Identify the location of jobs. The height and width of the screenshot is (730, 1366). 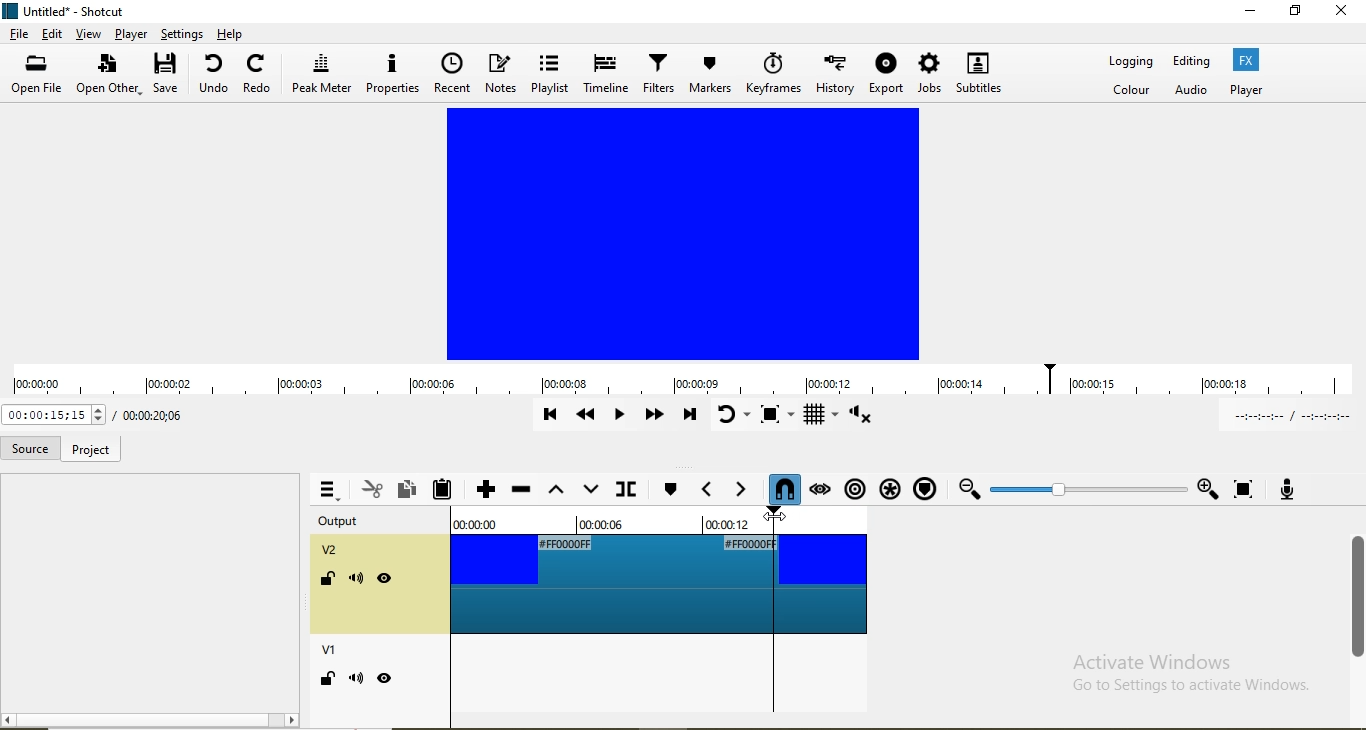
(929, 72).